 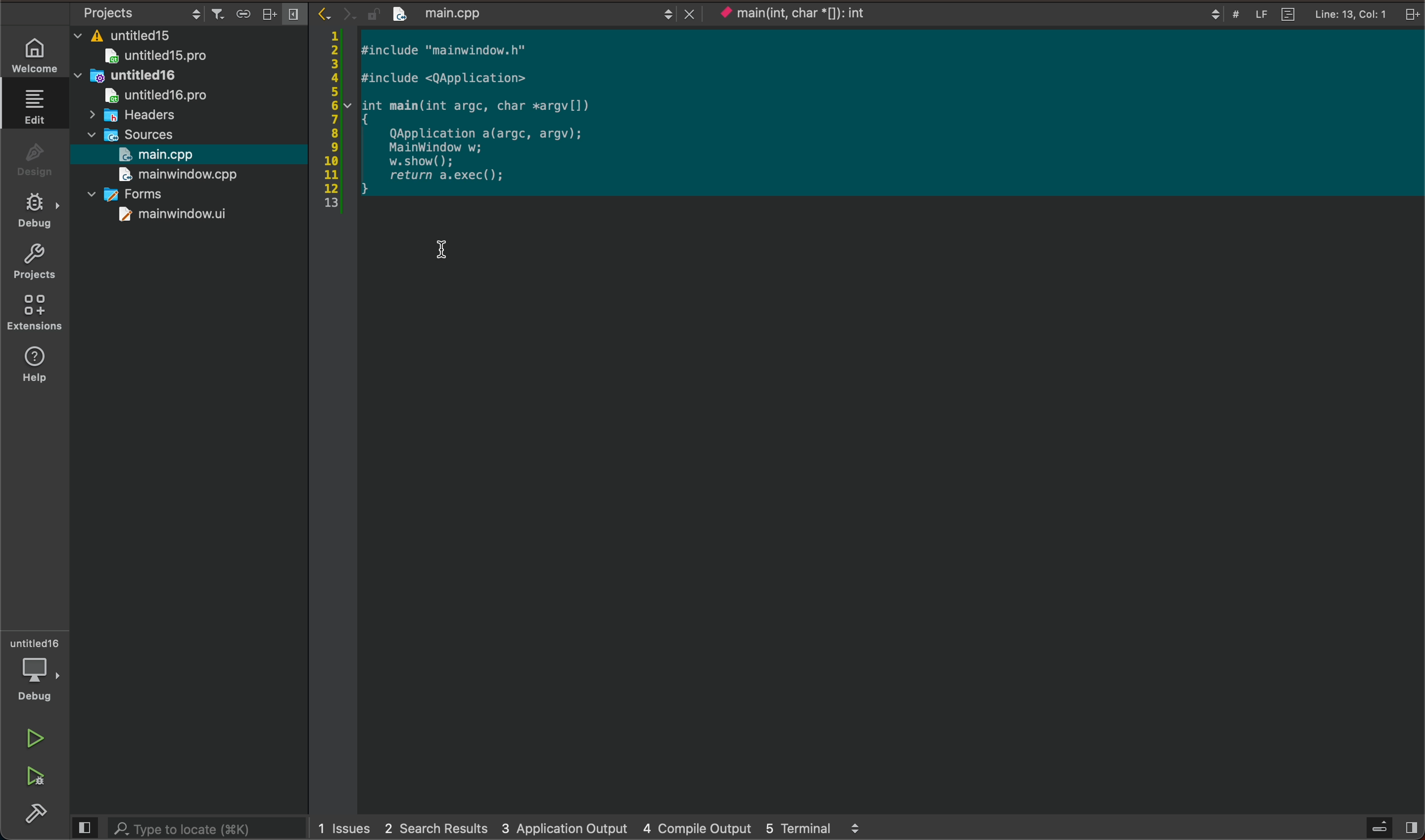 I want to click on headers, so click(x=144, y=116).